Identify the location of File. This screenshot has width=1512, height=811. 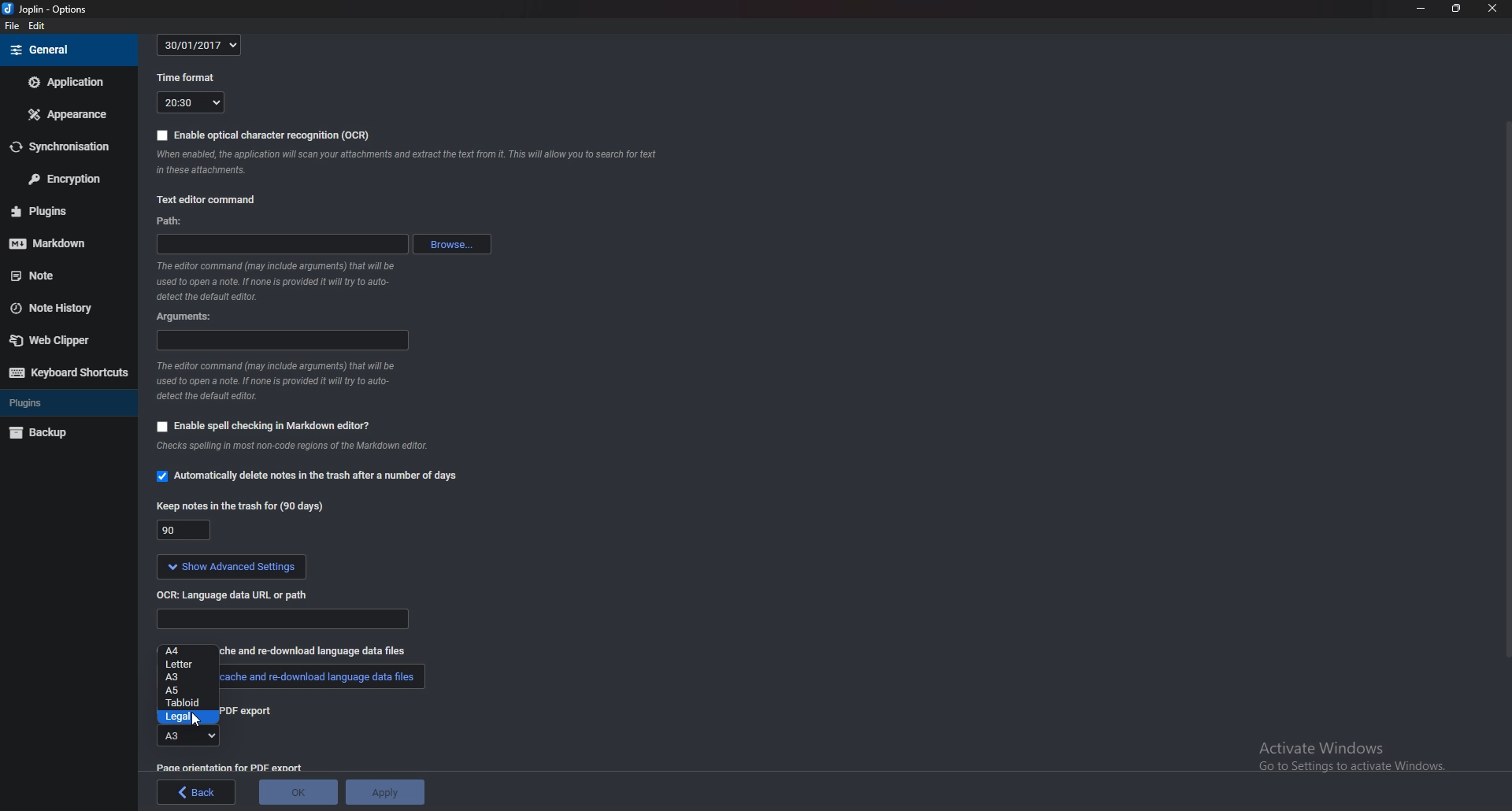
(13, 26).